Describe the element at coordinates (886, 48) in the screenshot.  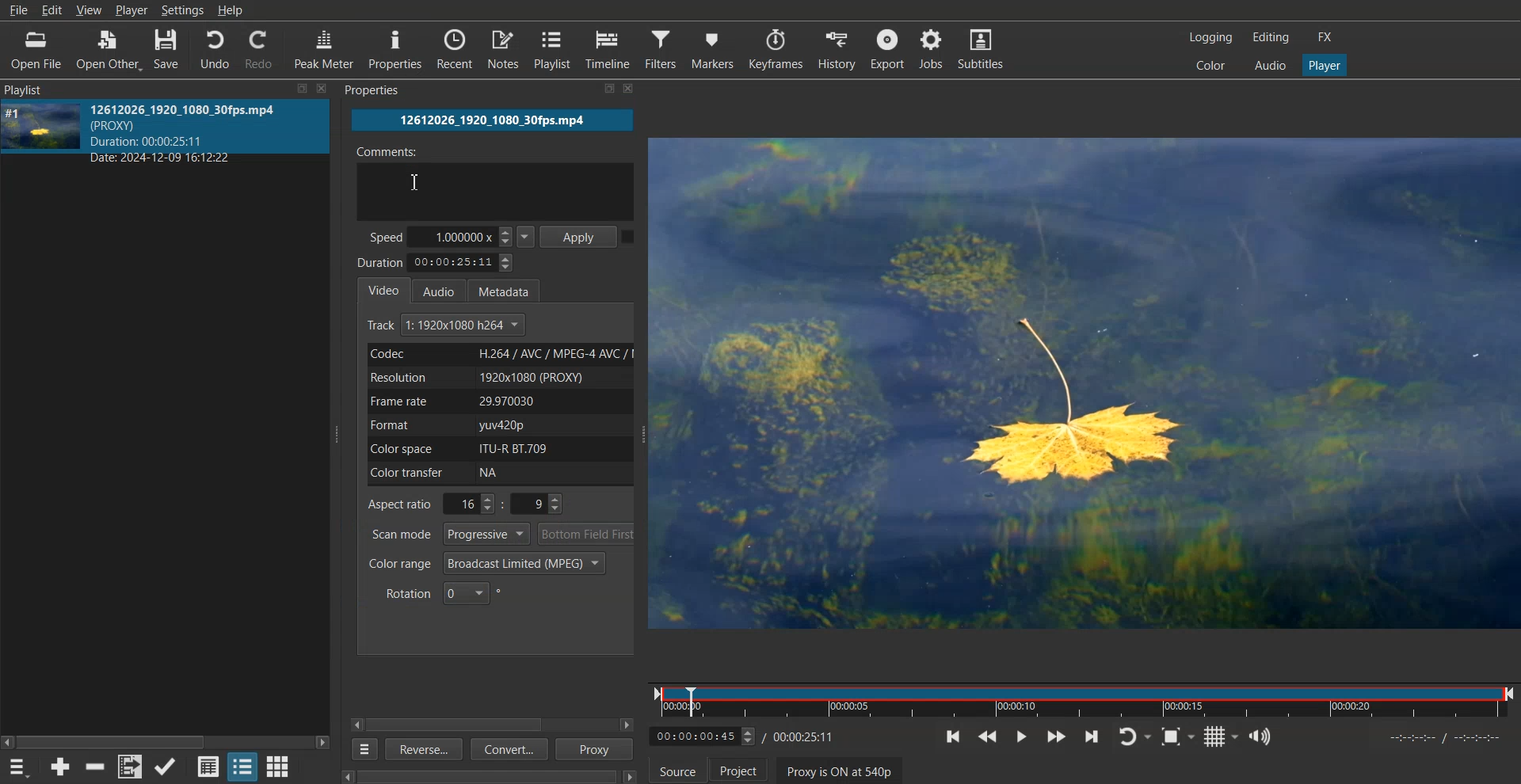
I see `Export` at that location.